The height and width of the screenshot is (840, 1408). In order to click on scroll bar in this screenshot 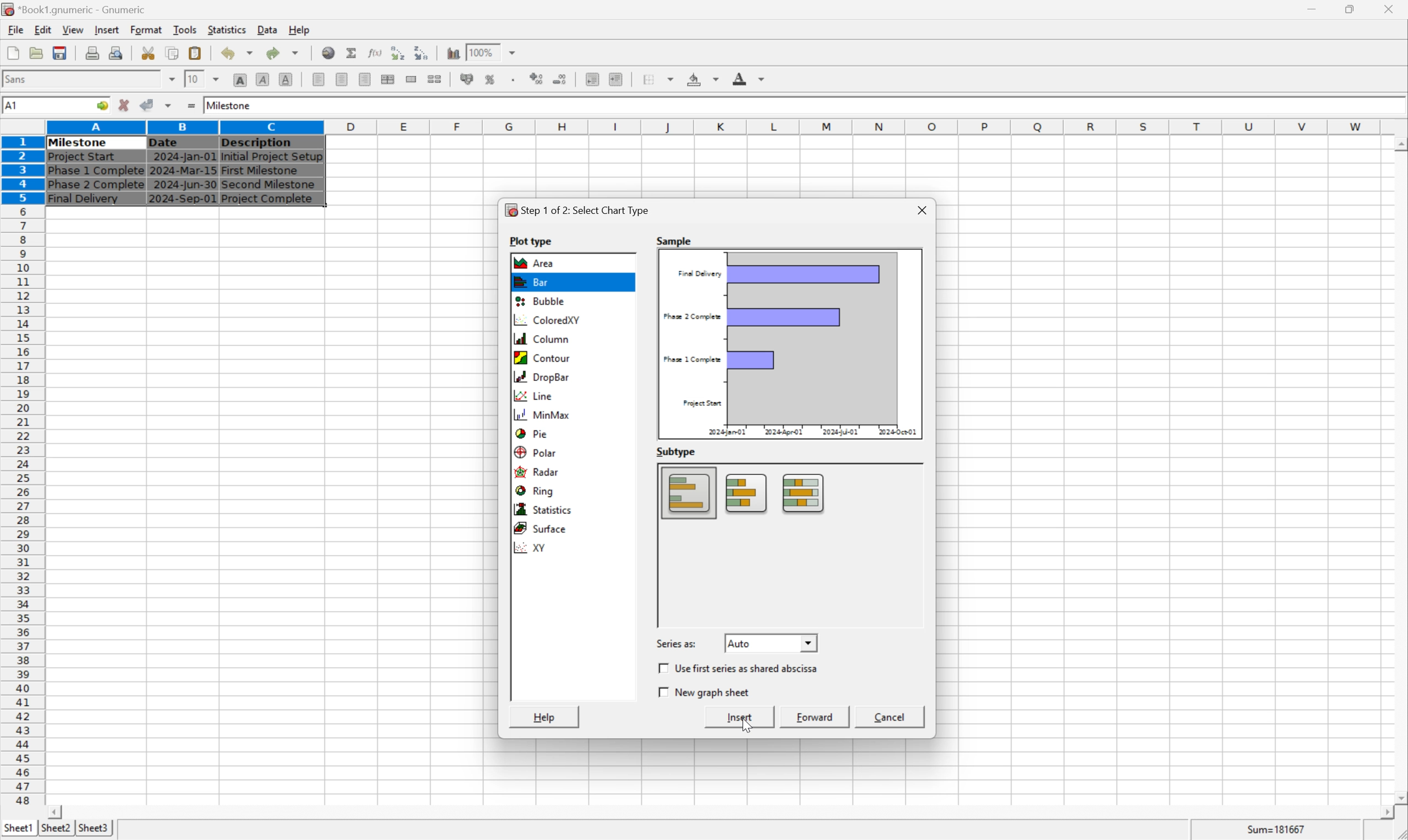, I will do `click(1399, 470)`.